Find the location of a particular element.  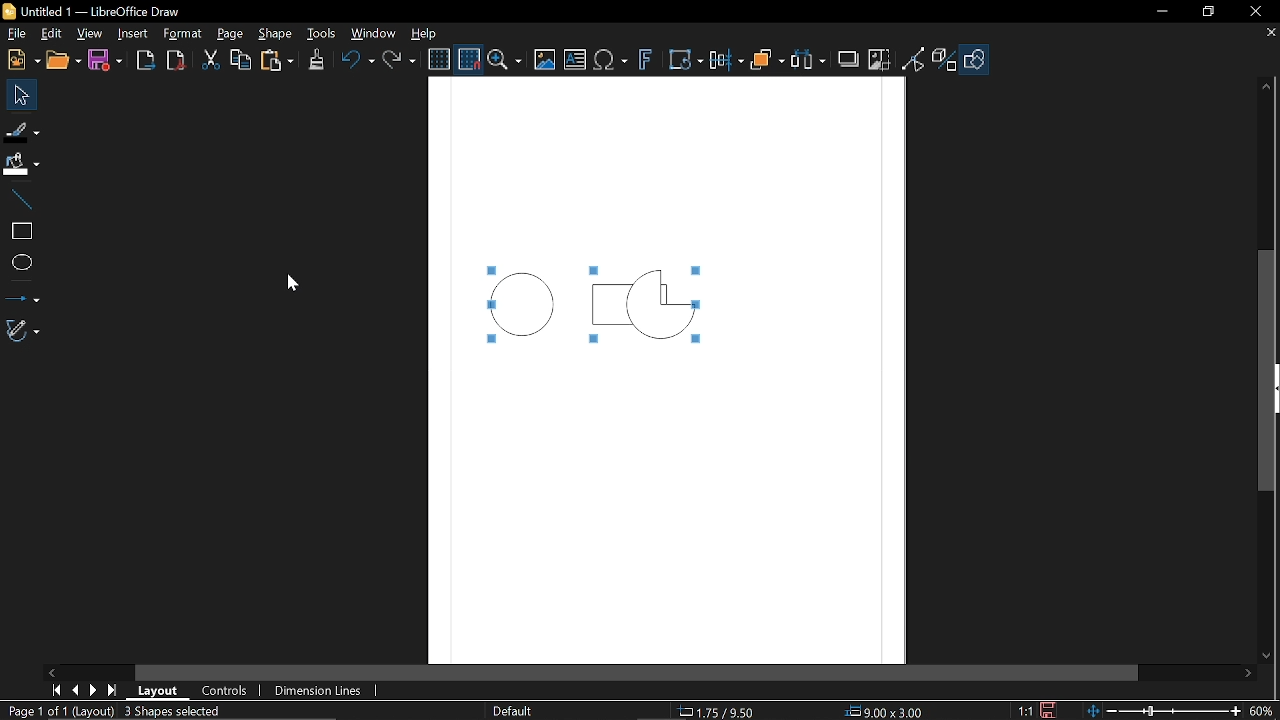

Layout is located at coordinates (156, 691).